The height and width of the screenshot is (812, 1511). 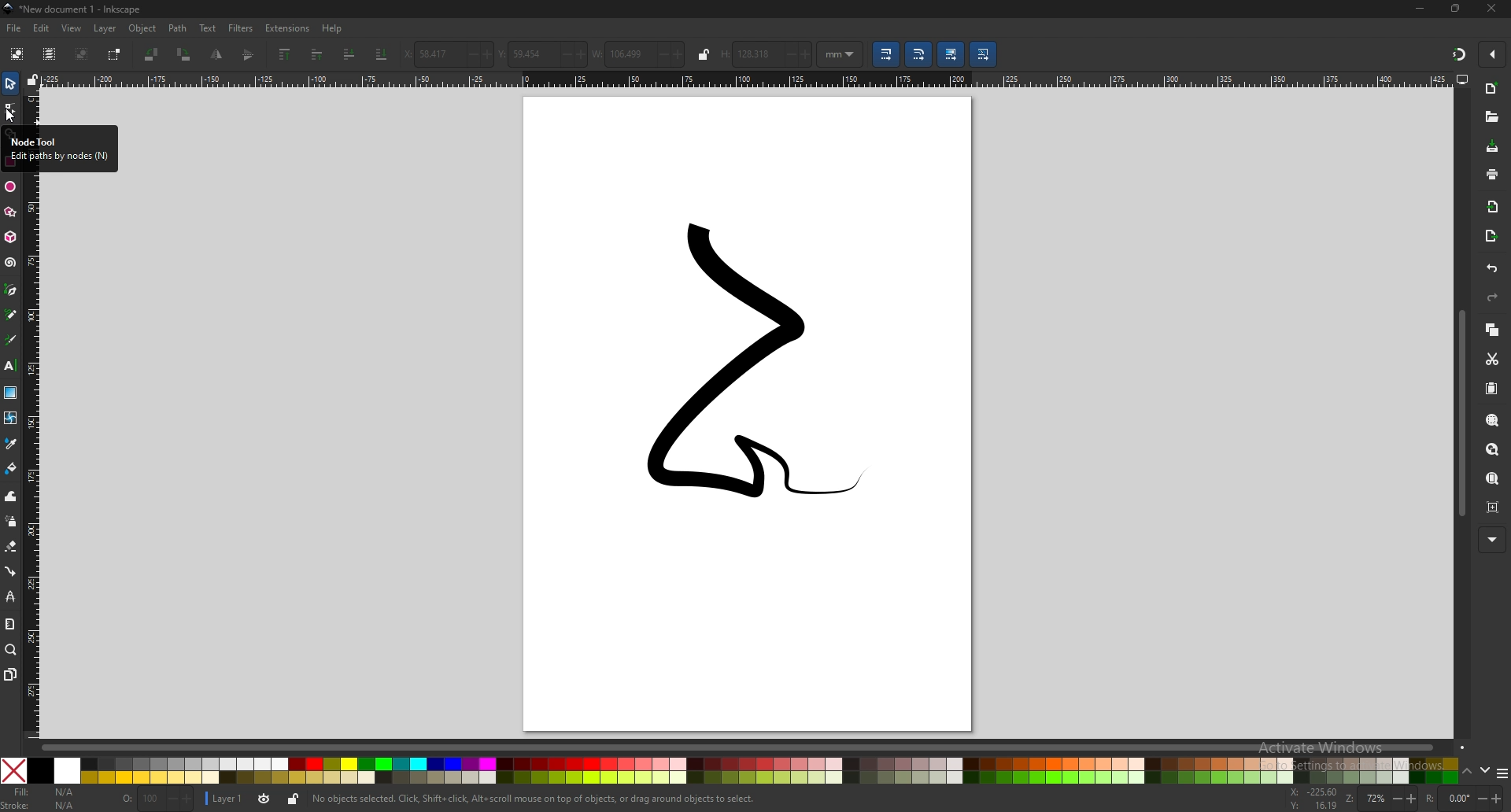 I want to click on calligraphy, so click(x=11, y=339).